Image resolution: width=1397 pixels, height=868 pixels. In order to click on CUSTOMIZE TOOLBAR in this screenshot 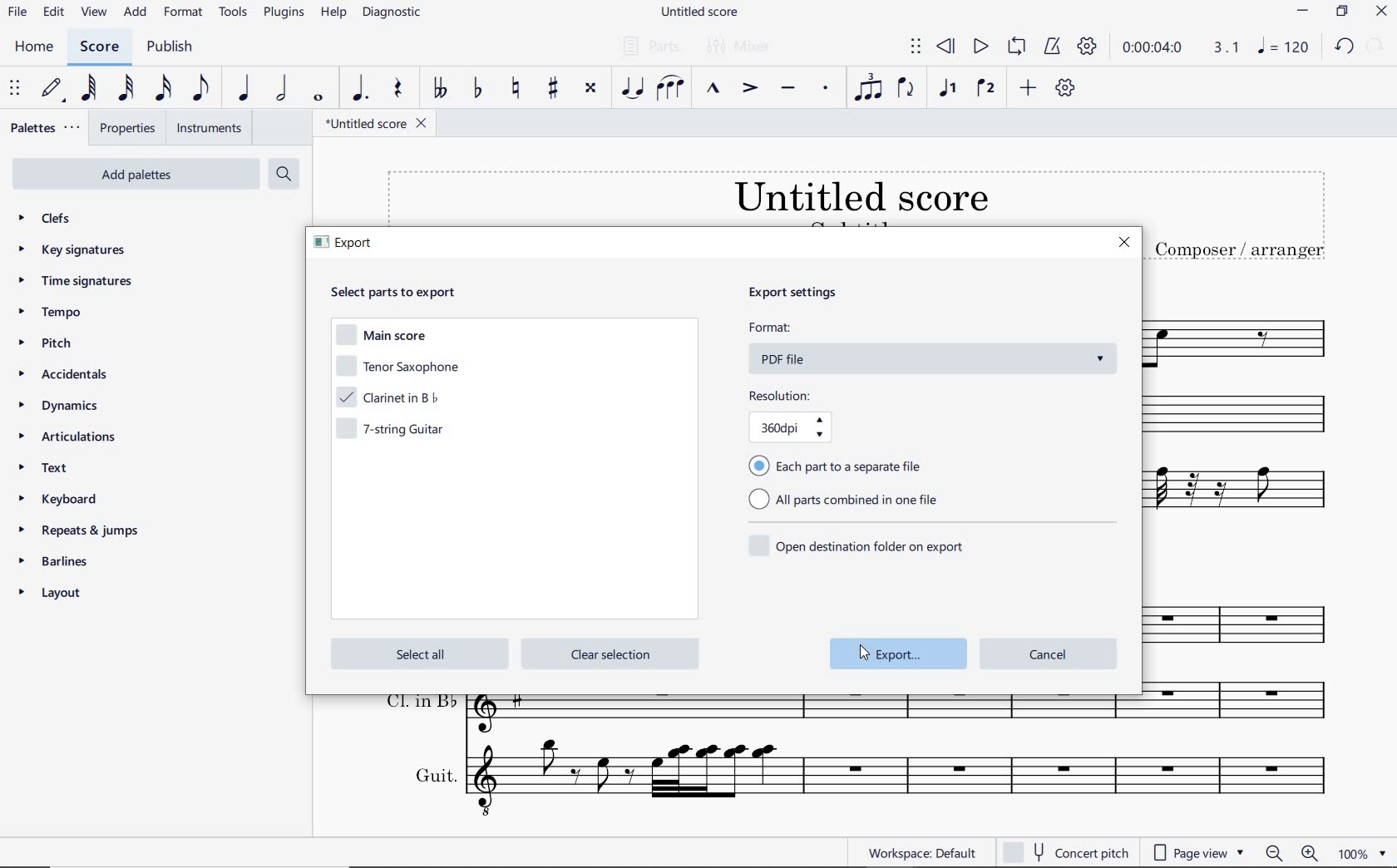, I will do `click(1064, 87)`.